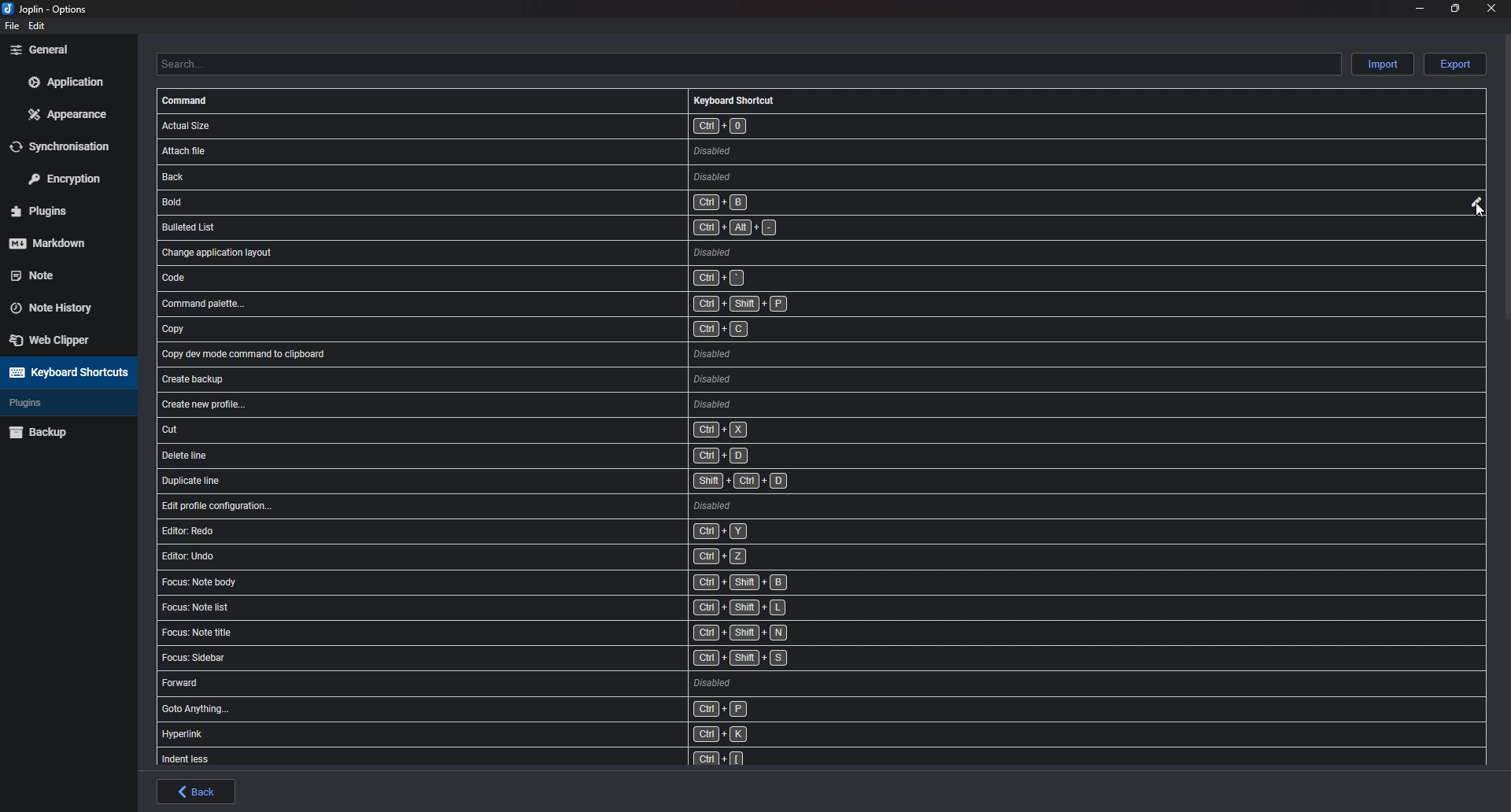 This screenshot has height=812, width=1511. I want to click on scroll bar, so click(1507, 175).